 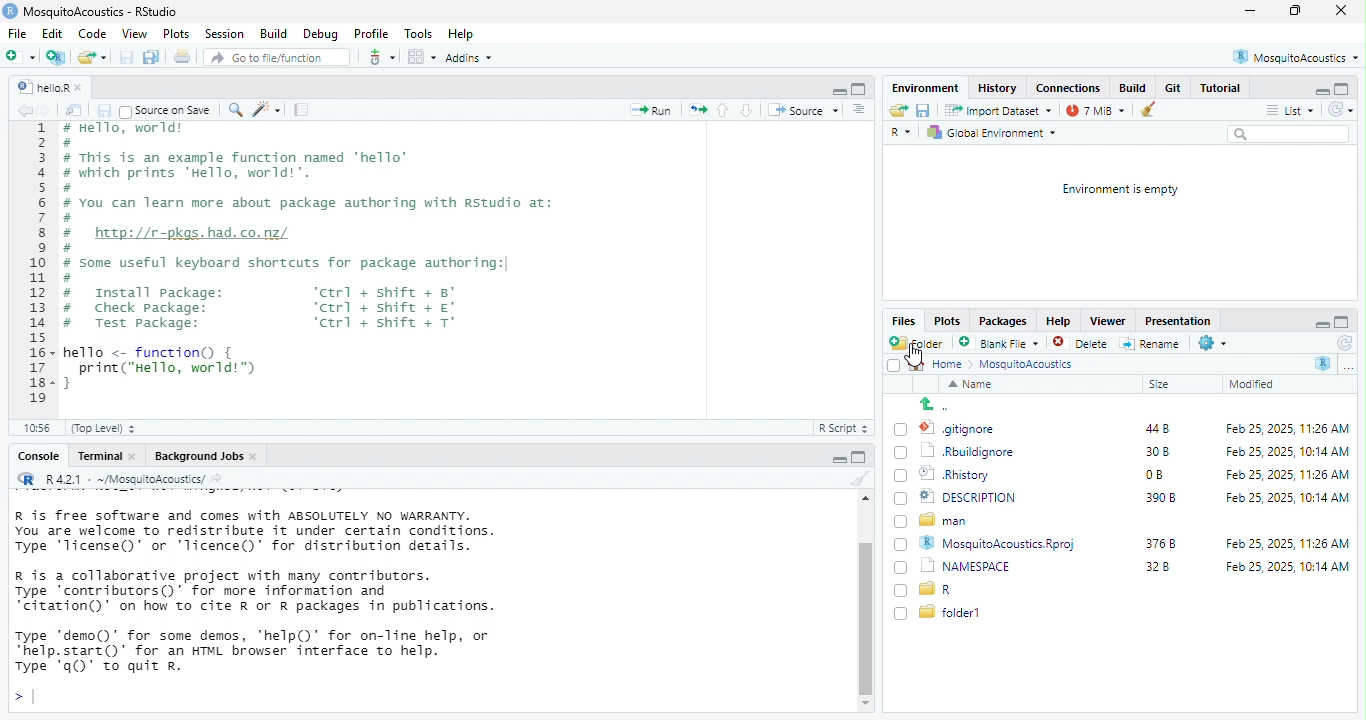 What do you see at coordinates (418, 32) in the screenshot?
I see `Tools` at bounding box center [418, 32].